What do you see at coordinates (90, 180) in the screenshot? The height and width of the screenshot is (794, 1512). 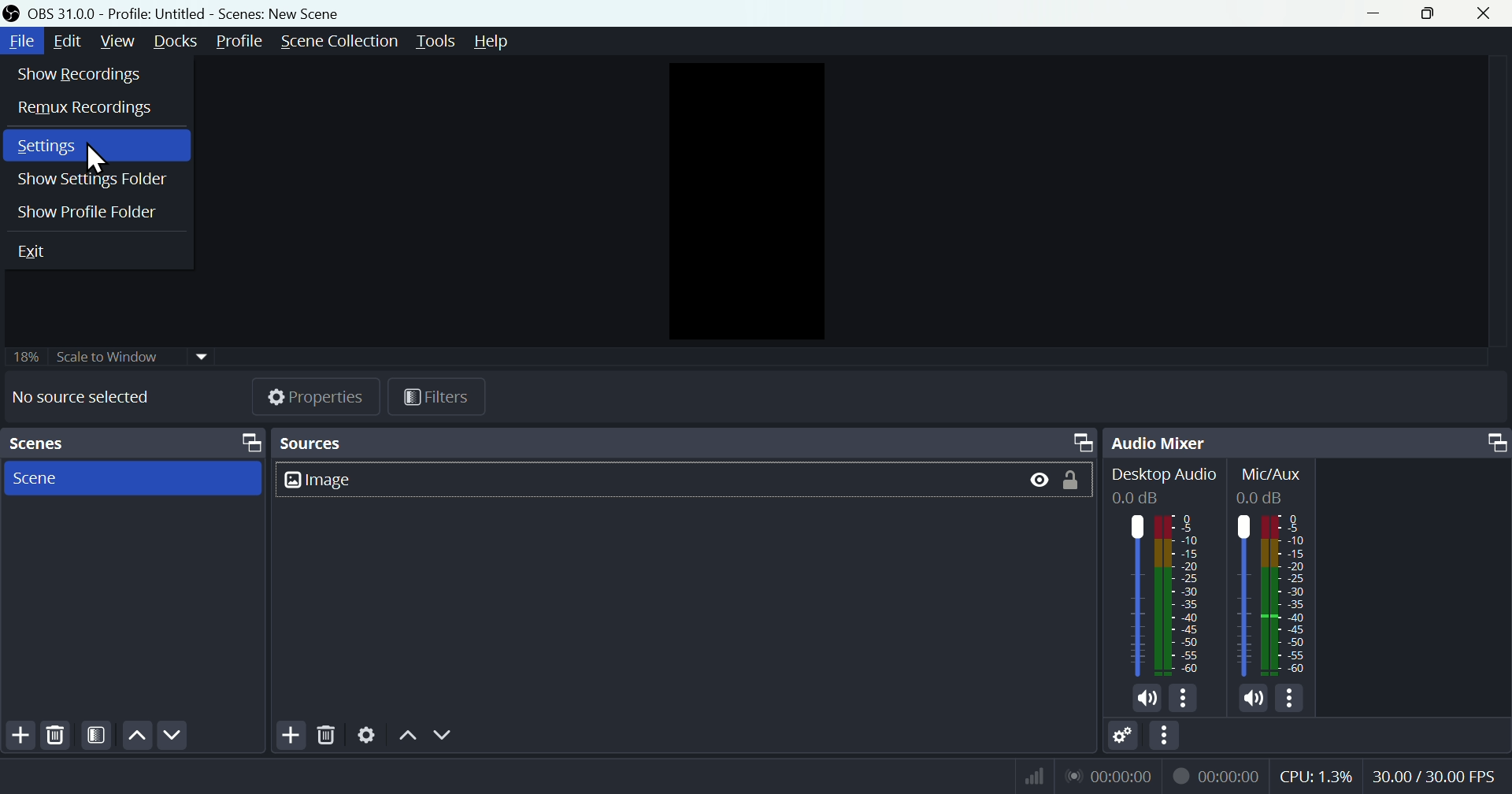 I see `Show settings folder` at bounding box center [90, 180].